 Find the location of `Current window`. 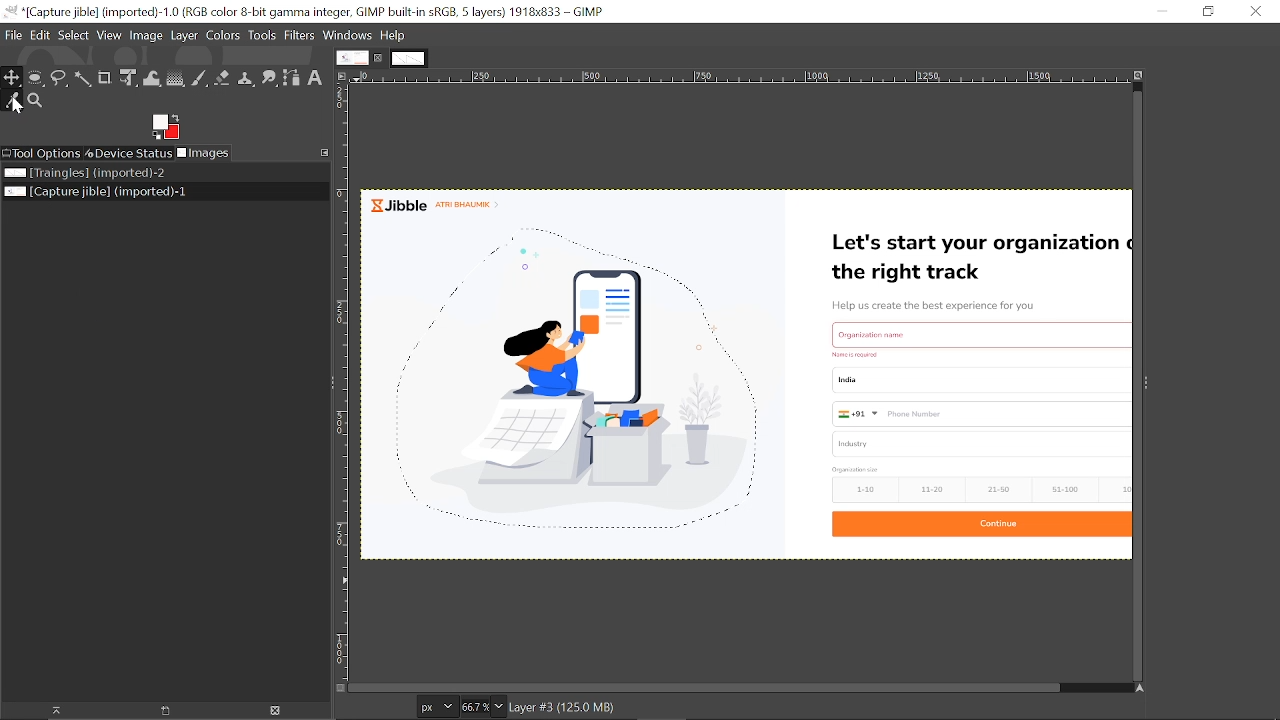

Current window is located at coordinates (305, 12).